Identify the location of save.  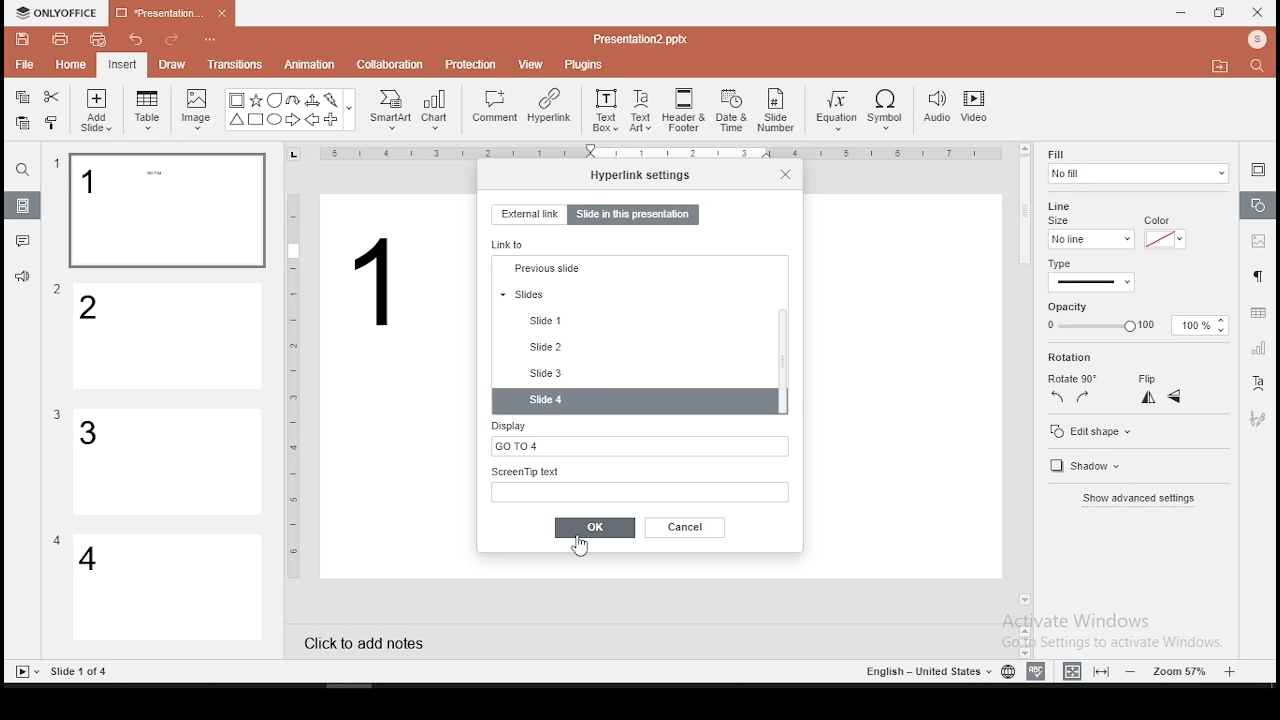
(23, 38).